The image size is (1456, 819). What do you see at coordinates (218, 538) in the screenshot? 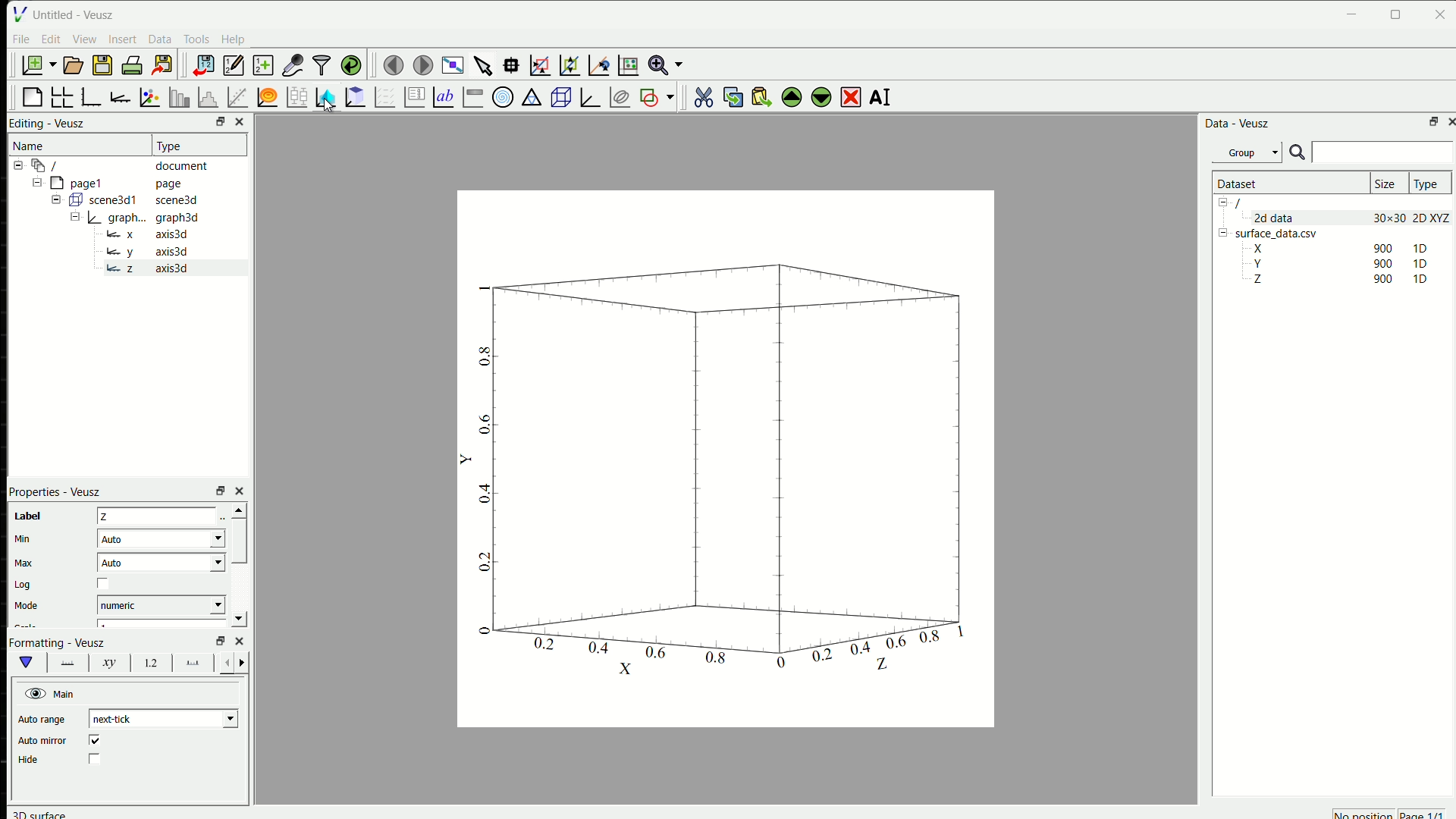
I see `Drop-down ` at bounding box center [218, 538].